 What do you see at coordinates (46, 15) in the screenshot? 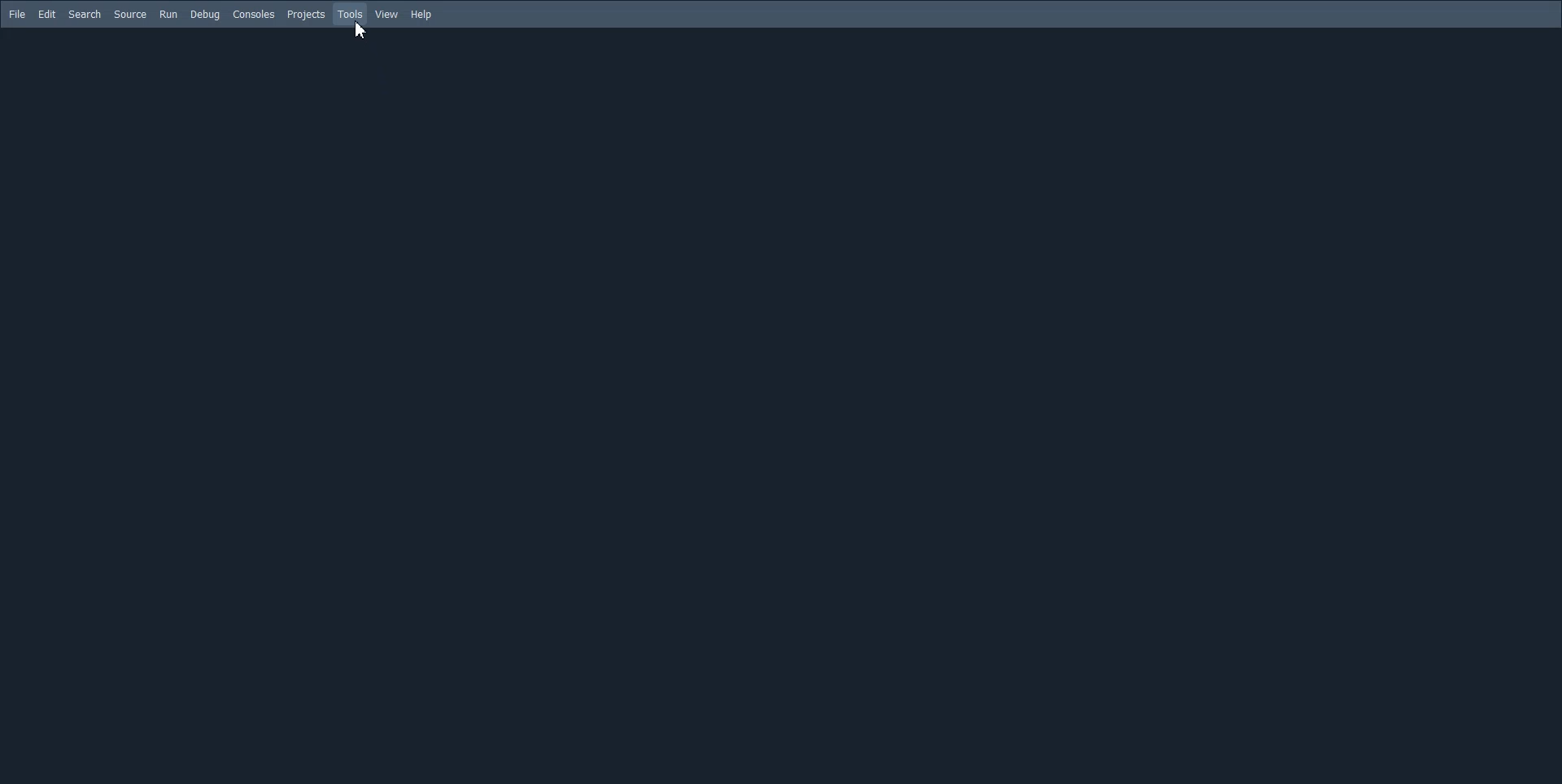
I see `Edit` at bounding box center [46, 15].